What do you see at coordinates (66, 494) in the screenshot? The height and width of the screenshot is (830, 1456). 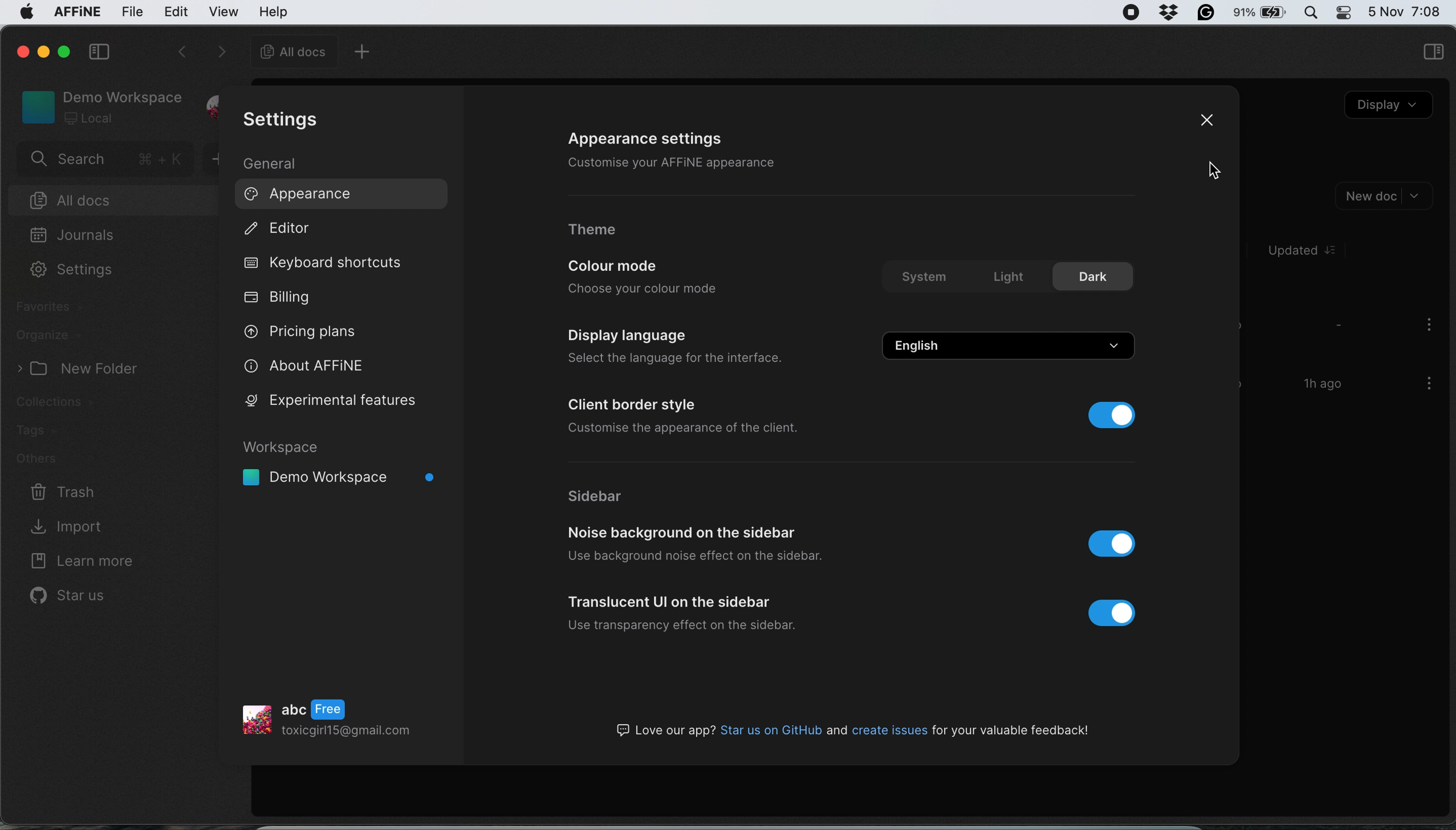 I see `trash` at bounding box center [66, 494].